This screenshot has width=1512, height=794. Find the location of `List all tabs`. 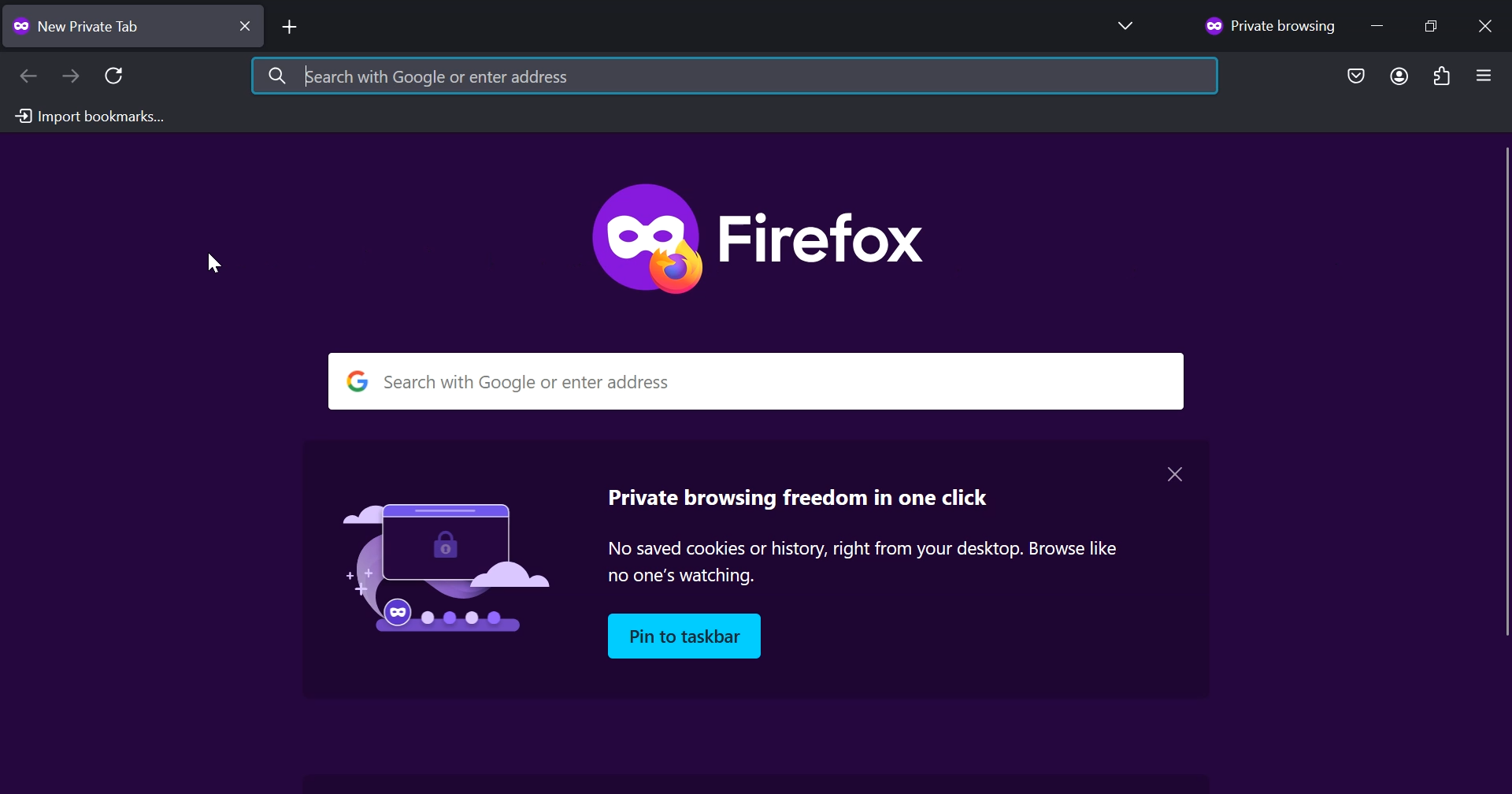

List all tabs is located at coordinates (1128, 23).